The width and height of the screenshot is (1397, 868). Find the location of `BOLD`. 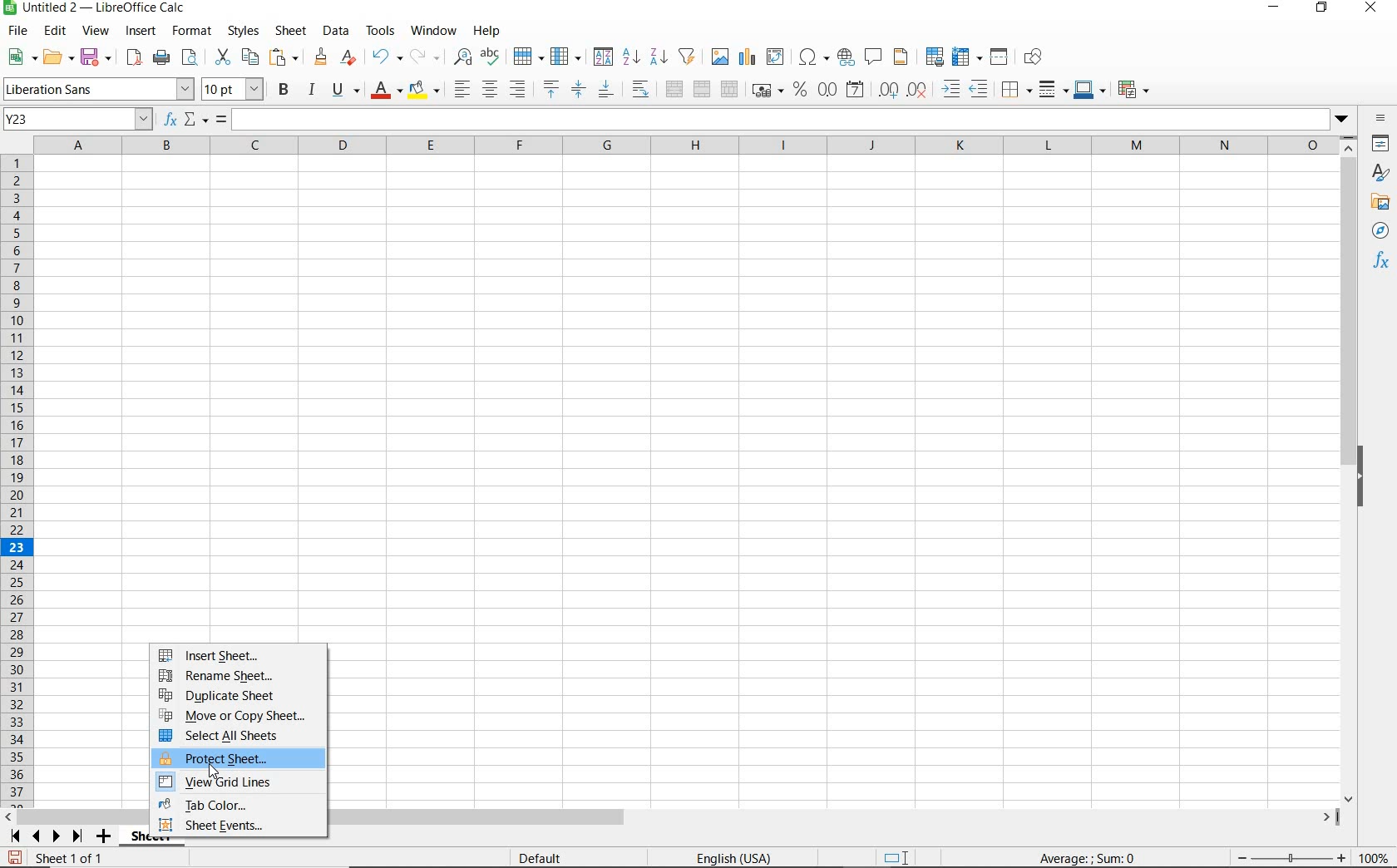

BOLD is located at coordinates (284, 91).